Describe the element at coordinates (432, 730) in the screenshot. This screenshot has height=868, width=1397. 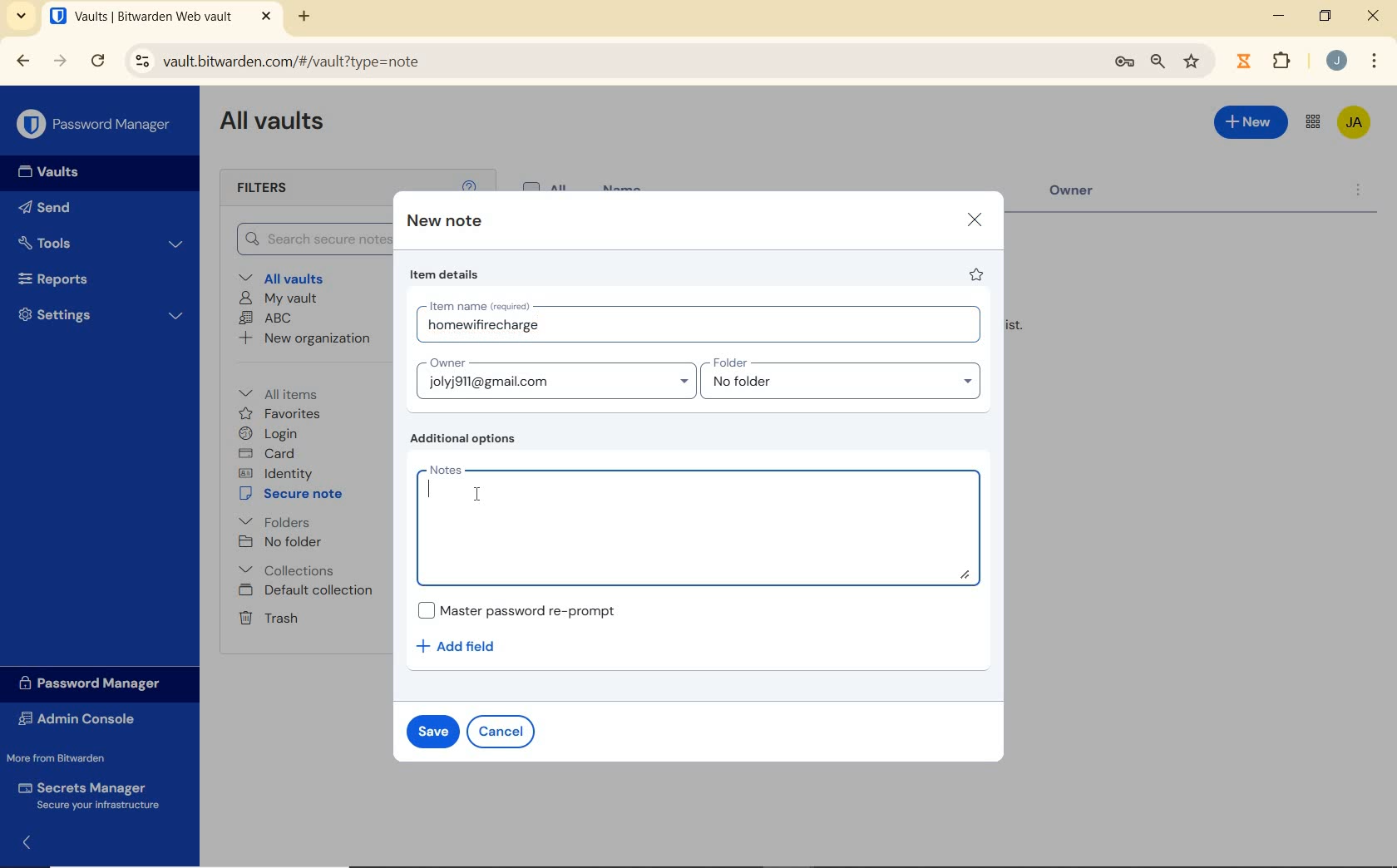
I see `save` at that location.